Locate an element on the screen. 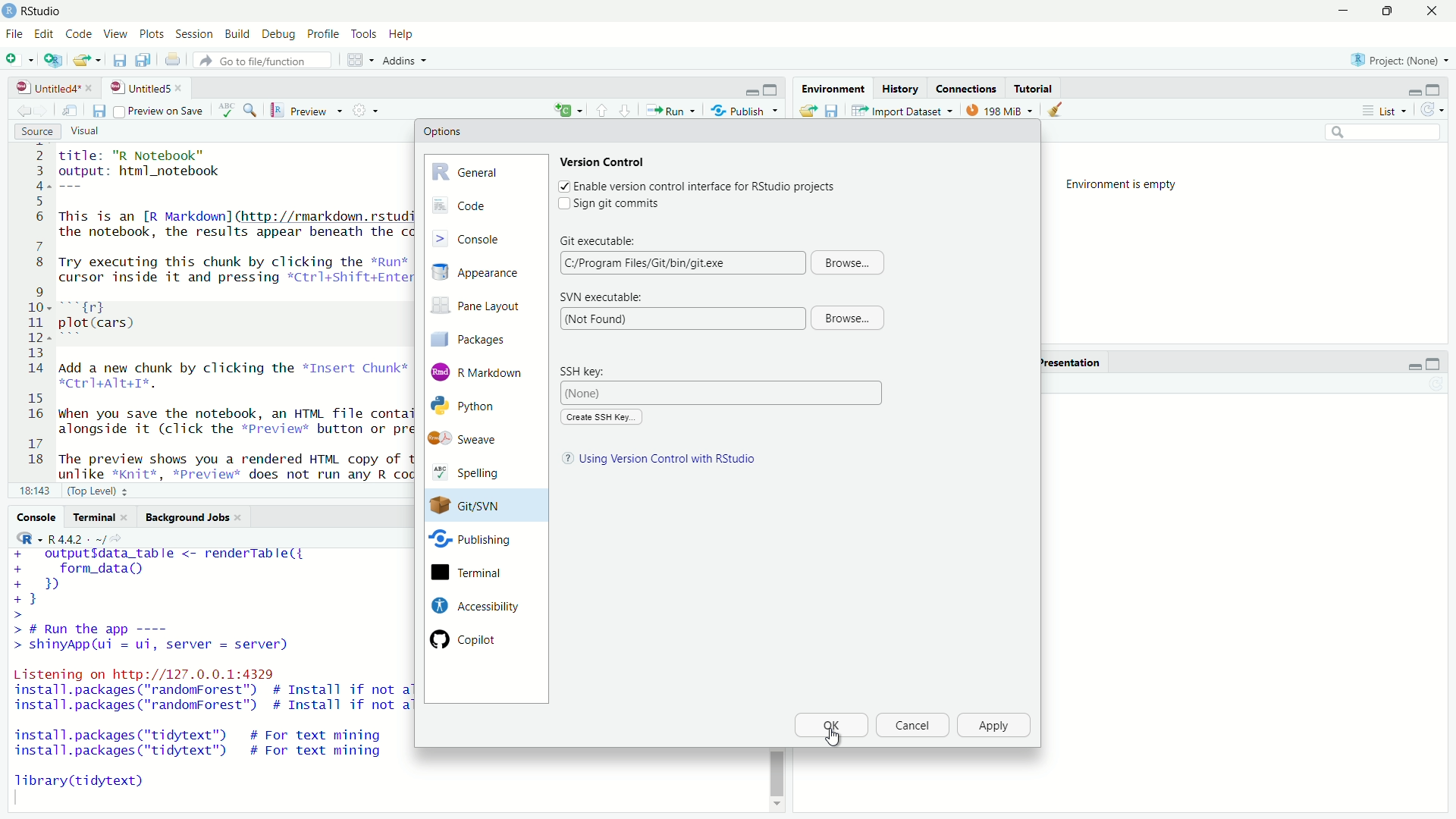  copilot is located at coordinates (476, 639).